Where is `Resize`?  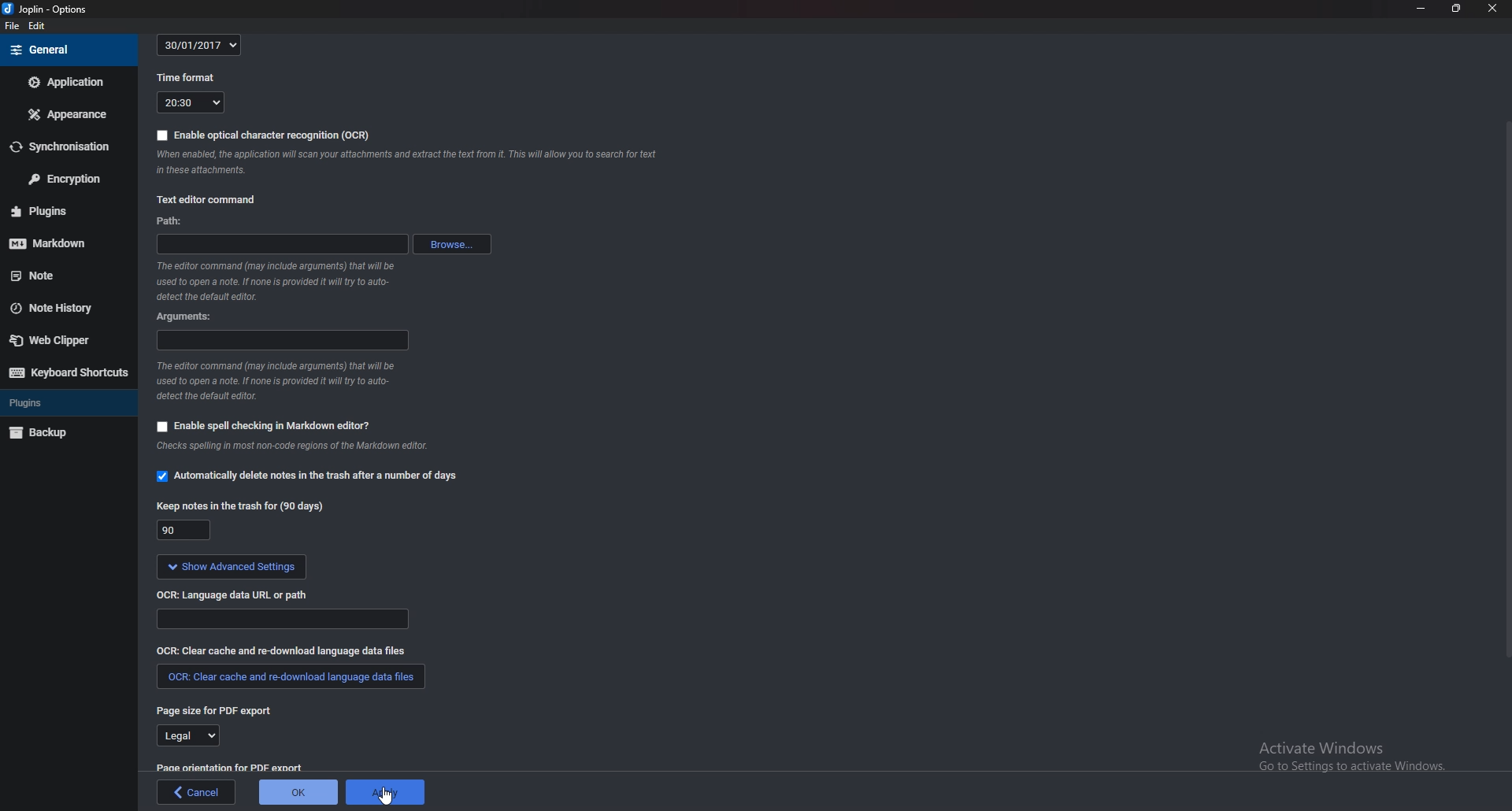 Resize is located at coordinates (1457, 8).